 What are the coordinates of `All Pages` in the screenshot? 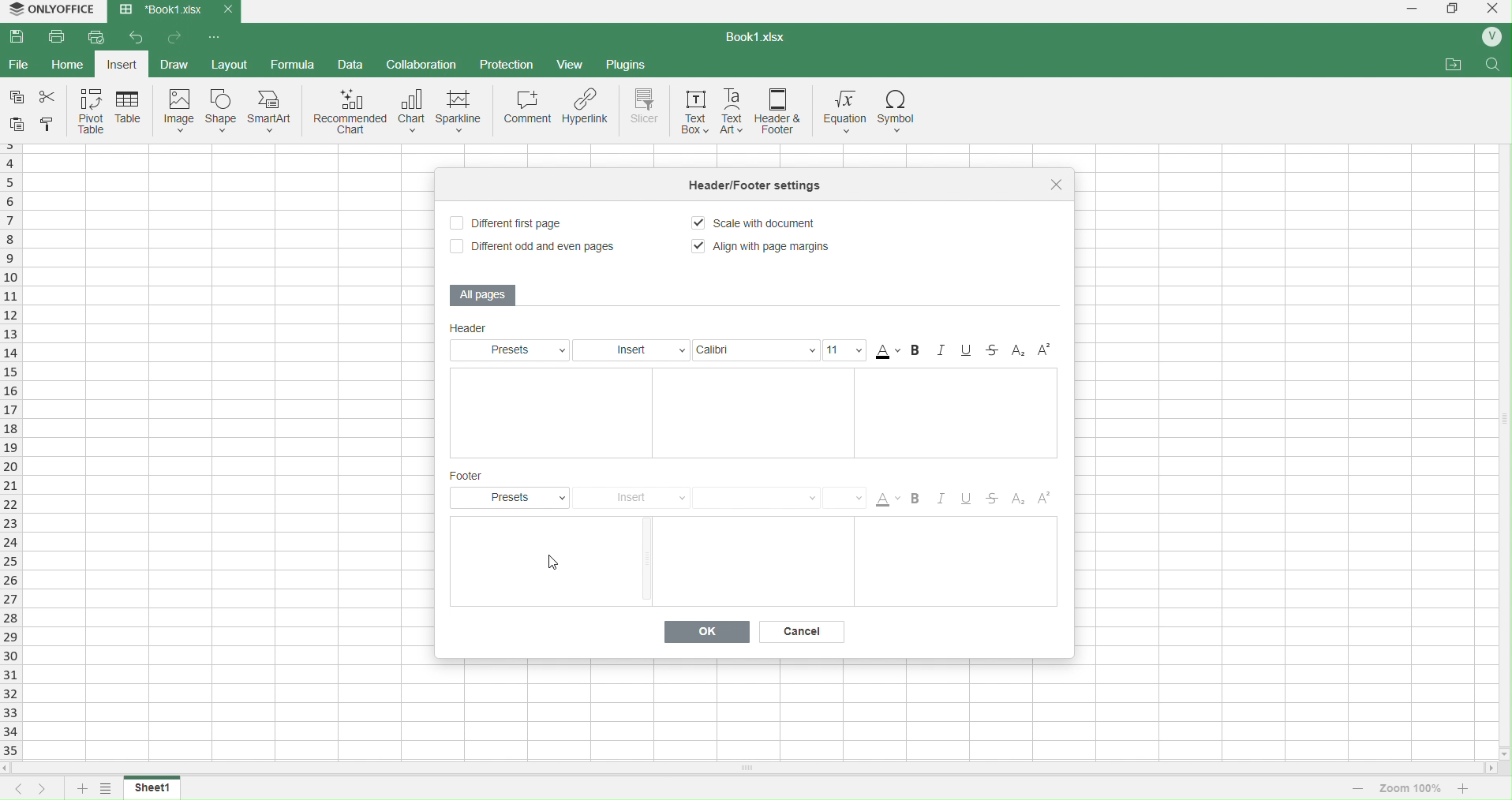 It's located at (485, 294).